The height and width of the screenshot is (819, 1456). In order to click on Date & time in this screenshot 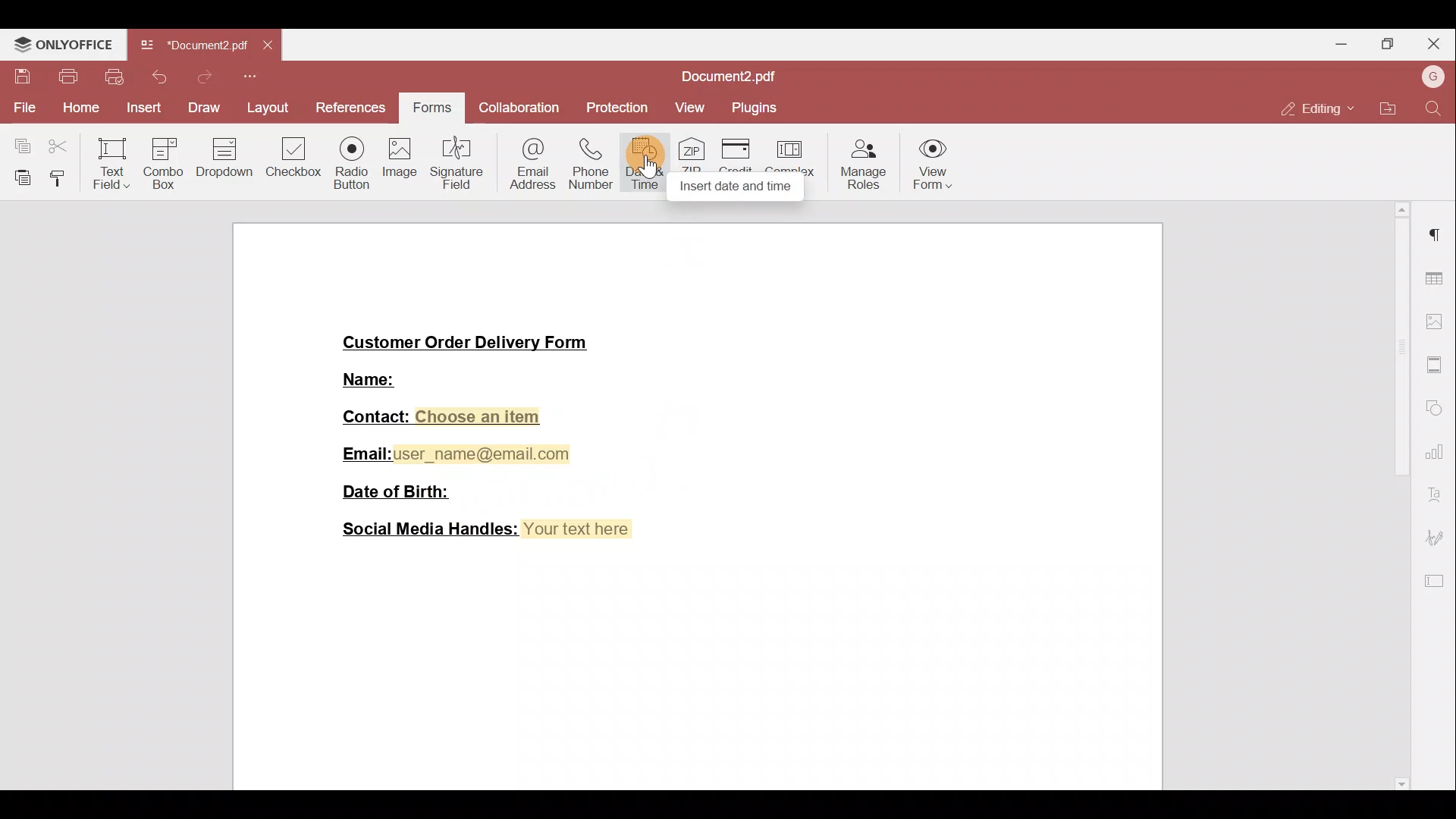, I will do `click(648, 160)`.